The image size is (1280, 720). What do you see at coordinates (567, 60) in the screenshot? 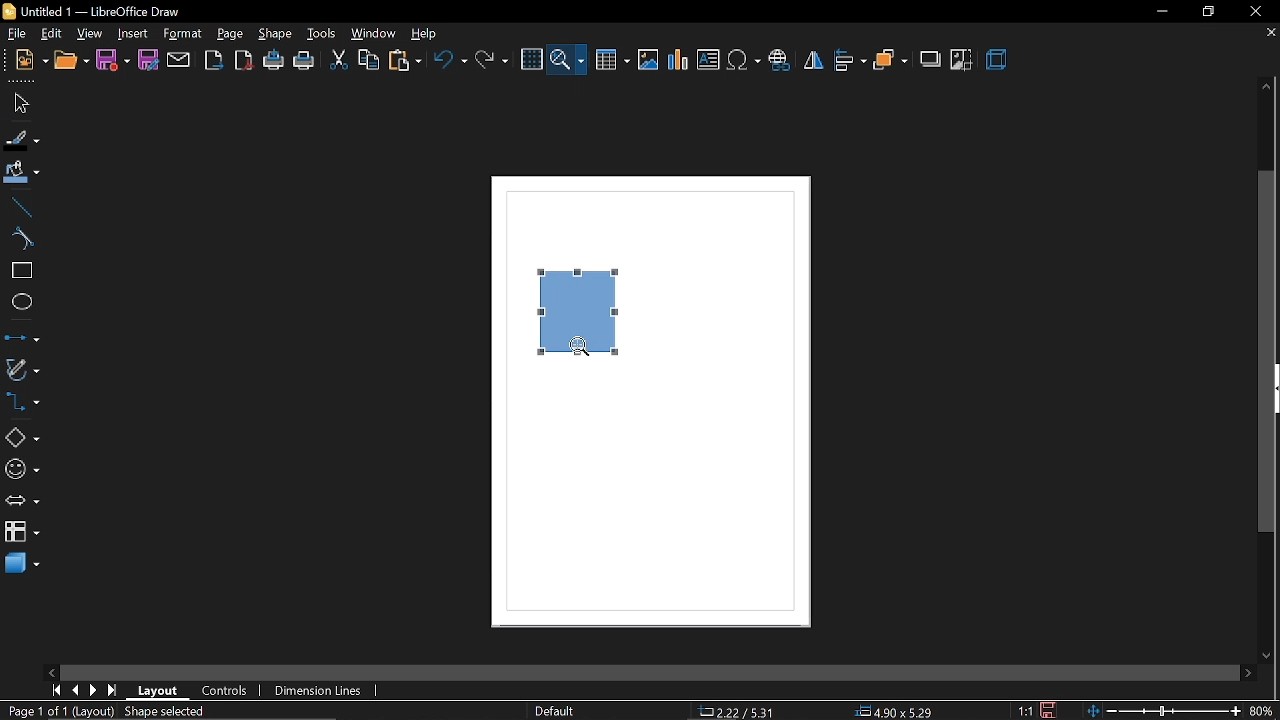
I see `zoom` at bounding box center [567, 60].